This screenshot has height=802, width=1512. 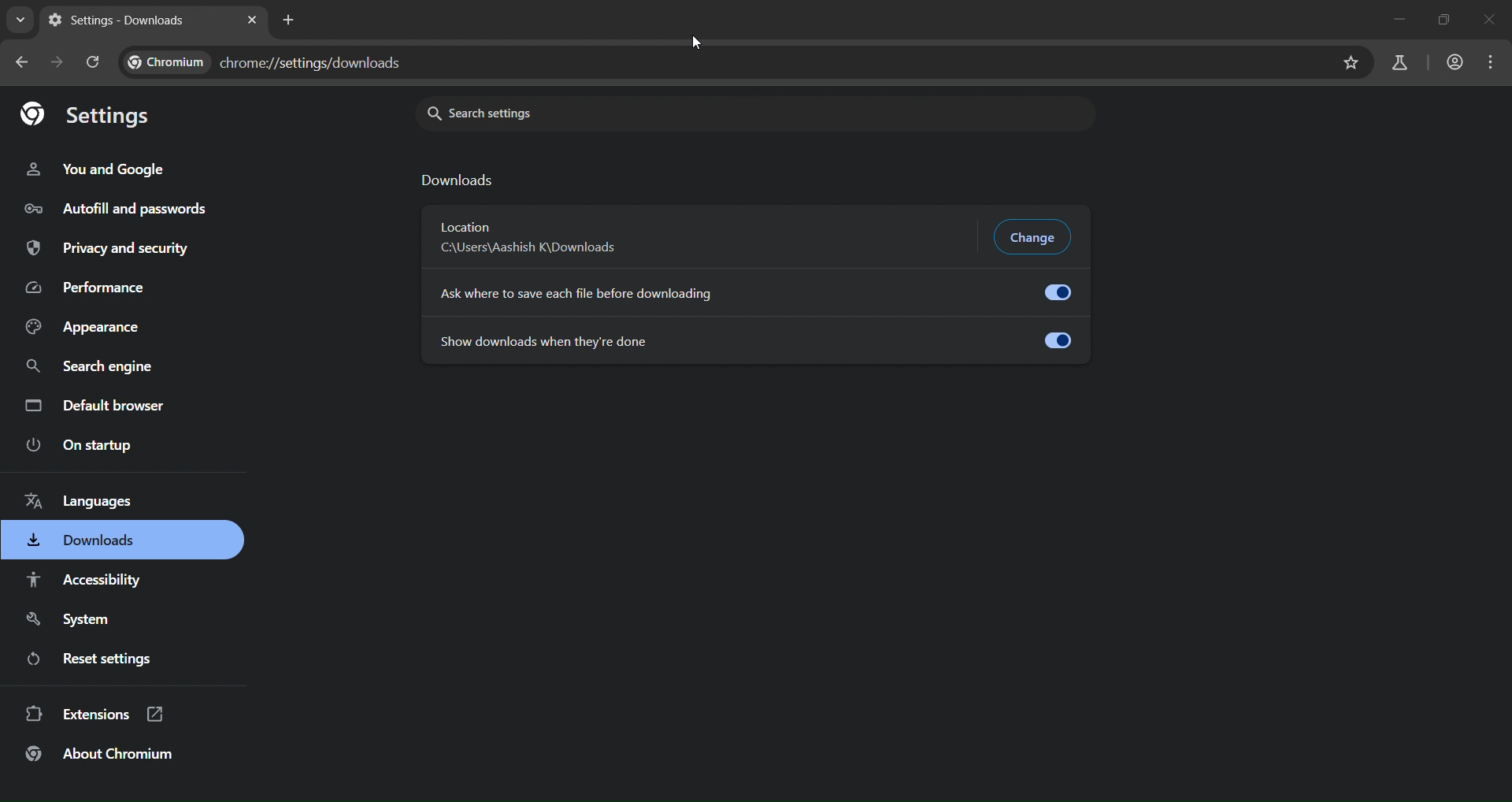 I want to click on downloads, so click(x=461, y=181).